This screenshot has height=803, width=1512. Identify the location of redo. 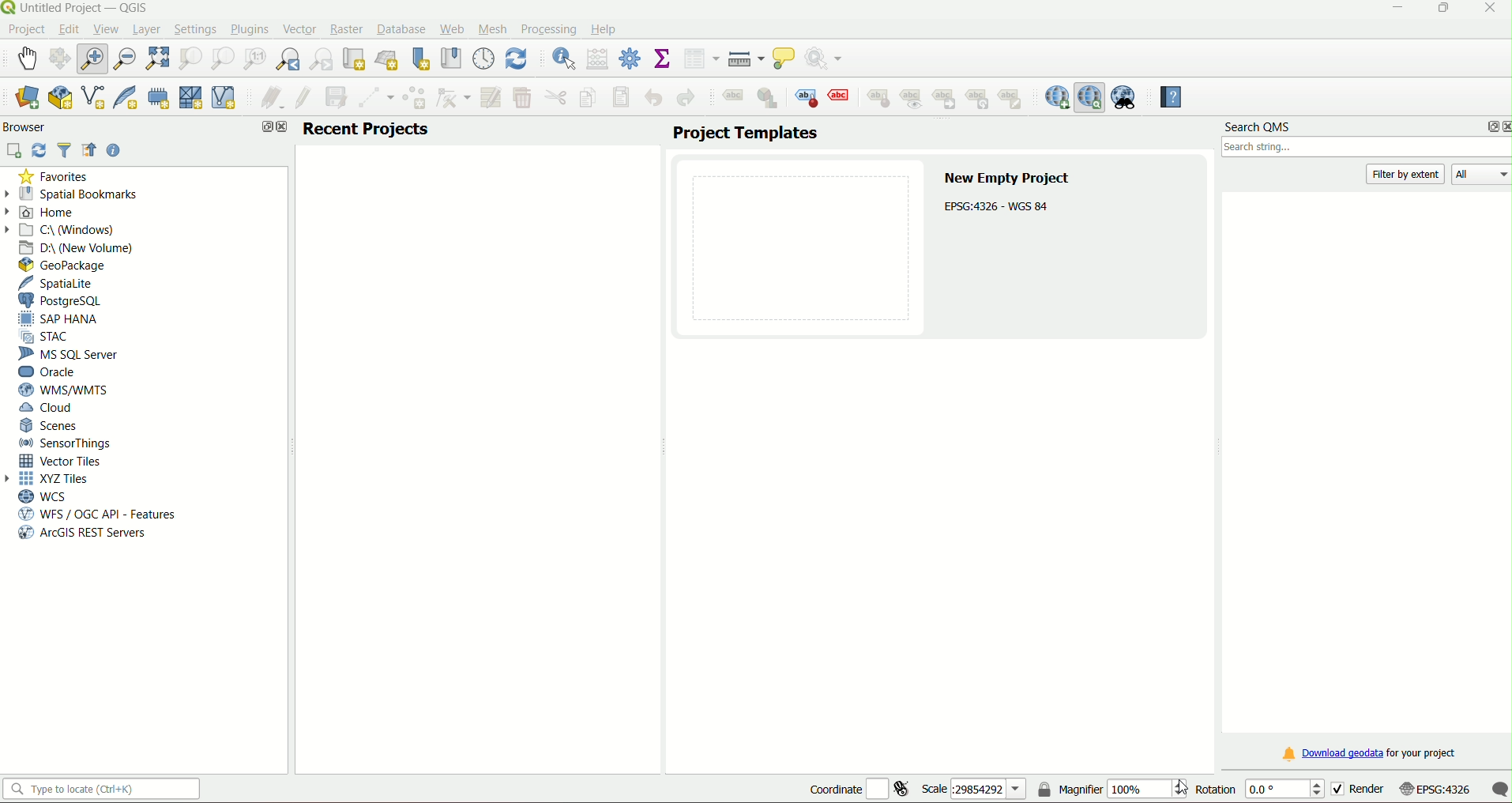
(685, 99).